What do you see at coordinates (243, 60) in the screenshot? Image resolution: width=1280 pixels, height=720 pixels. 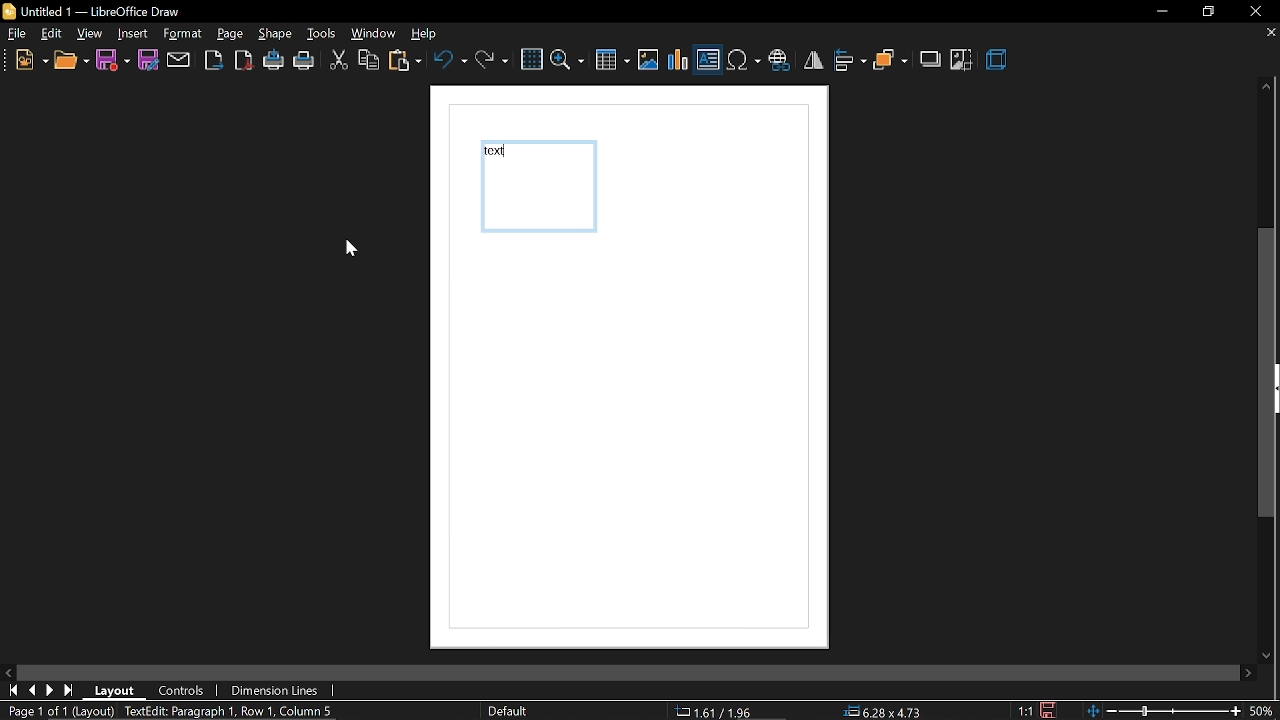 I see `export as pdf` at bounding box center [243, 60].